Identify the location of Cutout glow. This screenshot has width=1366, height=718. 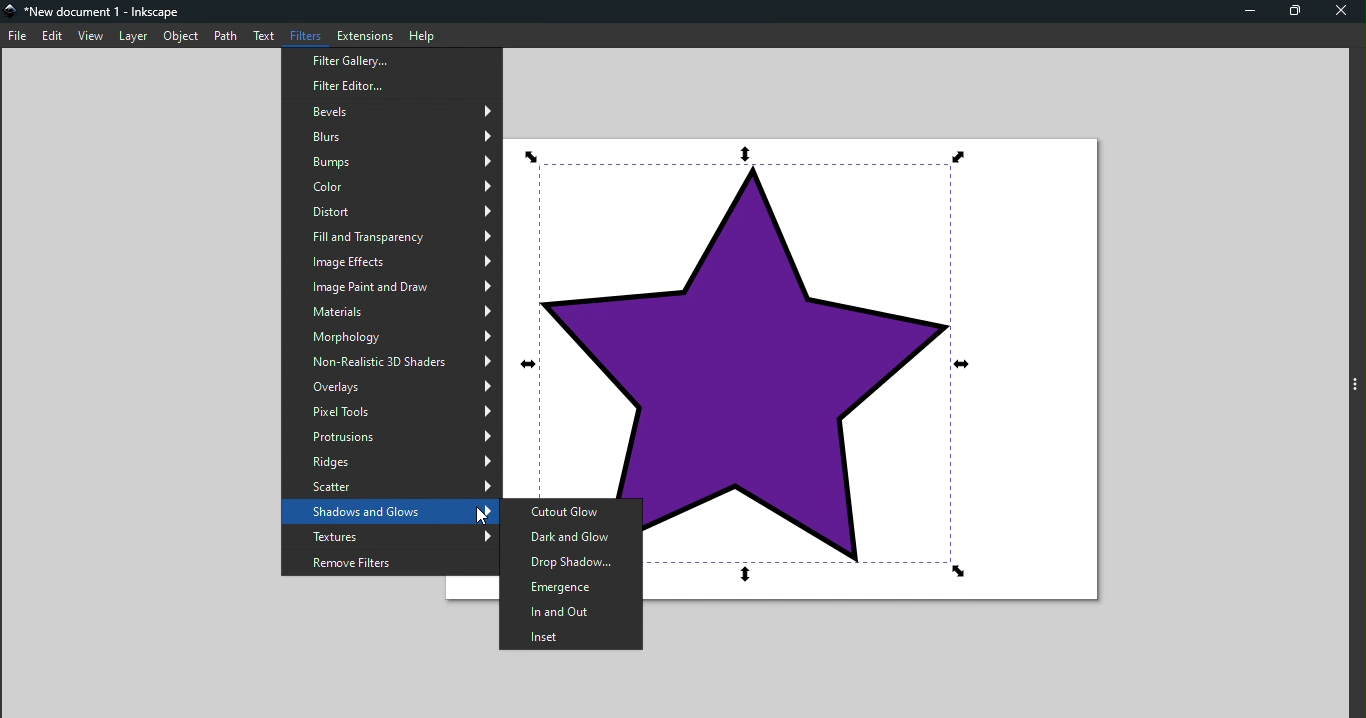
(568, 511).